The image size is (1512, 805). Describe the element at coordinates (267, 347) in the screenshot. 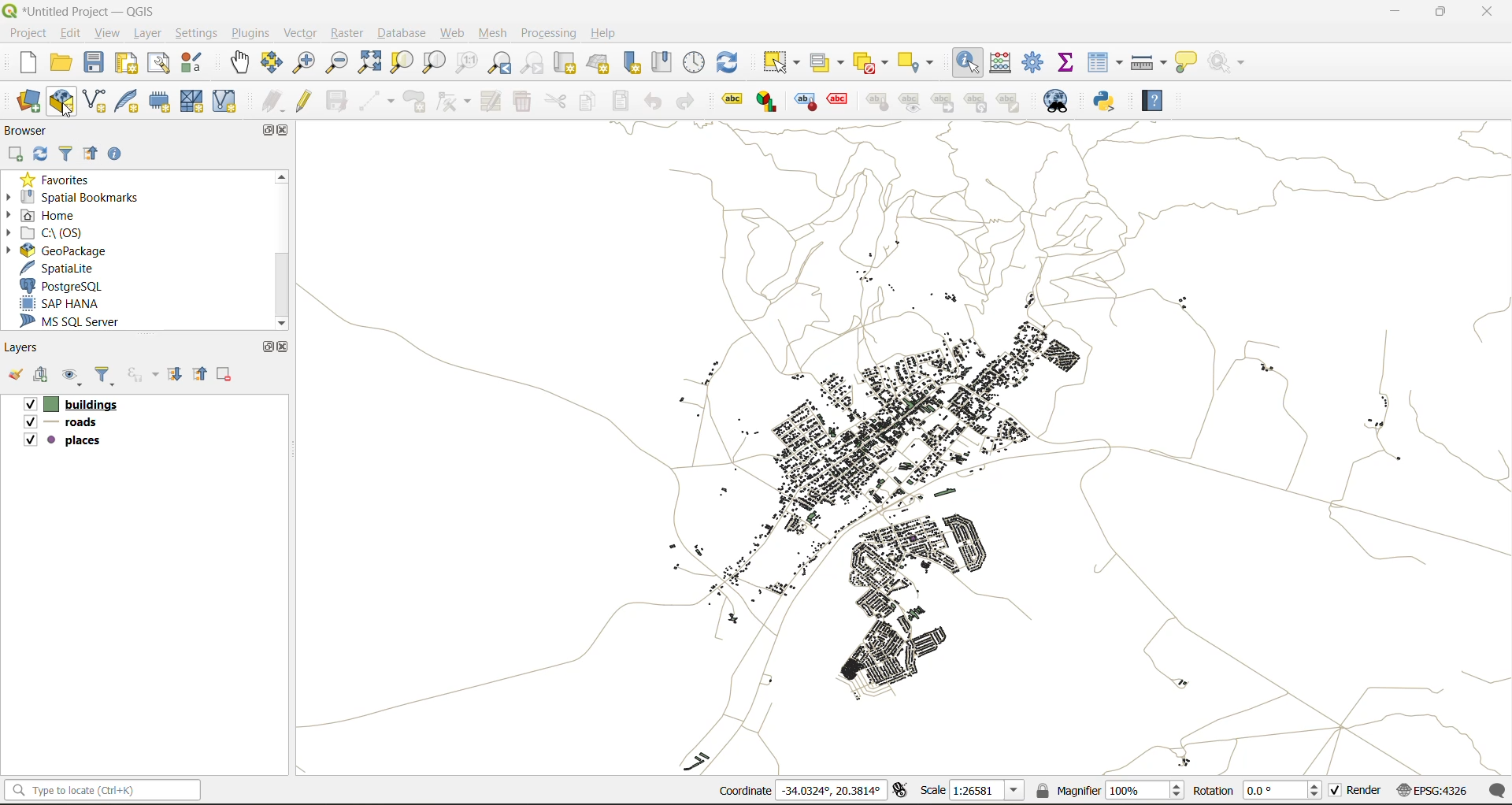

I see `maximize` at that location.